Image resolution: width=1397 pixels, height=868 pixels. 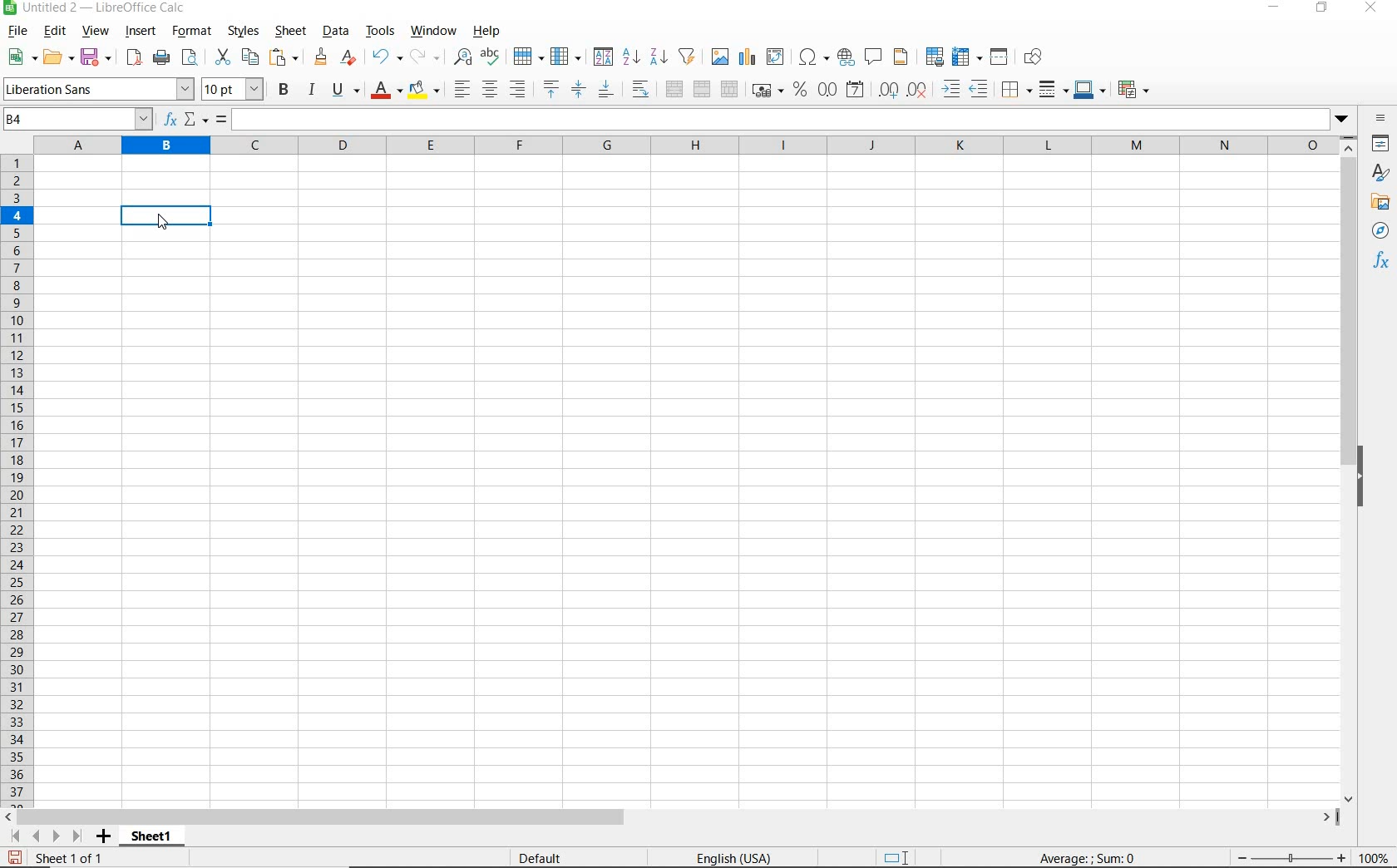 What do you see at coordinates (565, 57) in the screenshot?
I see `column` at bounding box center [565, 57].